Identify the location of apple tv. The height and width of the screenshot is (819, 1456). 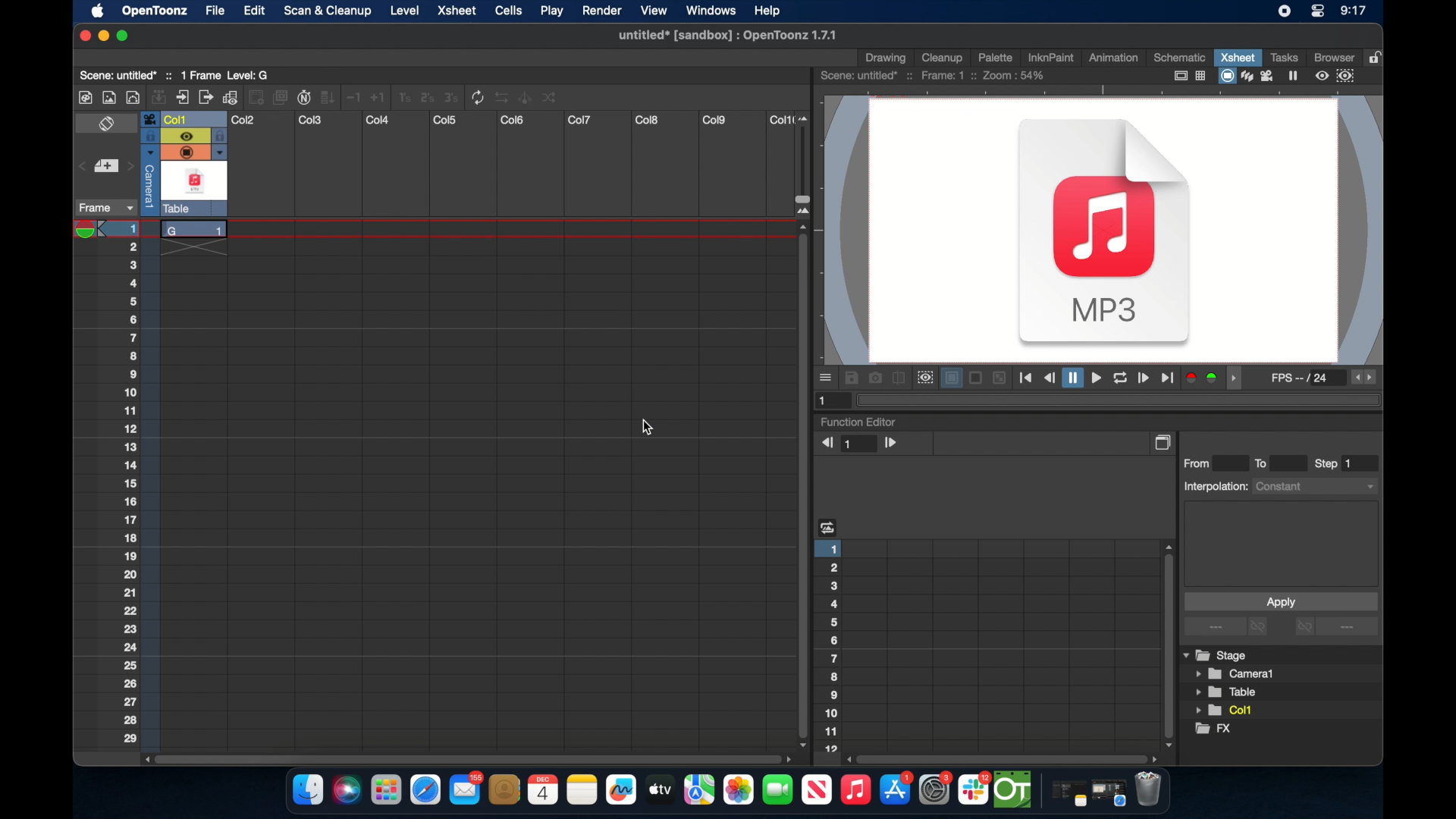
(816, 790).